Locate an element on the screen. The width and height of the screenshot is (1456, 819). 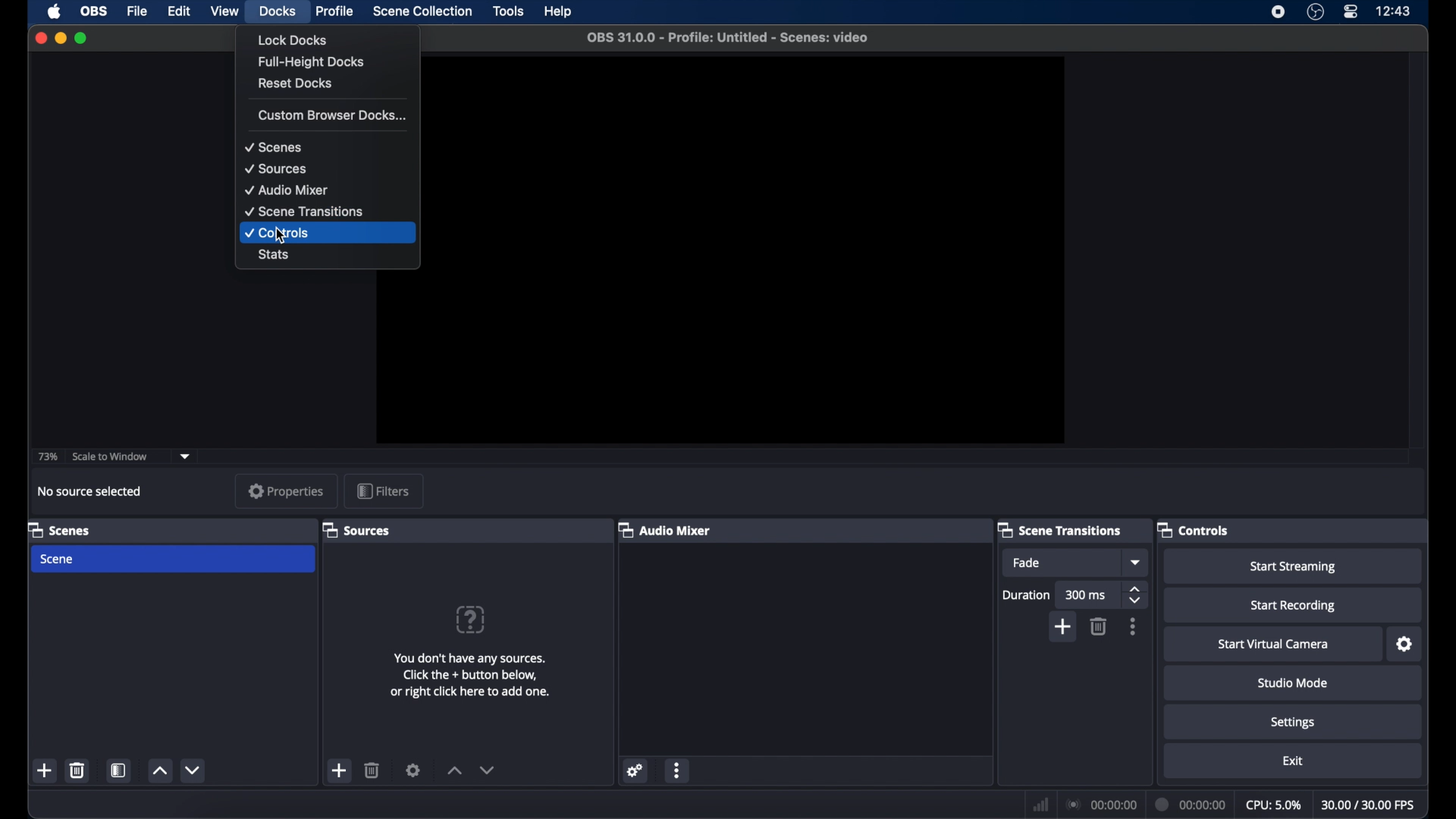
increment is located at coordinates (453, 770).